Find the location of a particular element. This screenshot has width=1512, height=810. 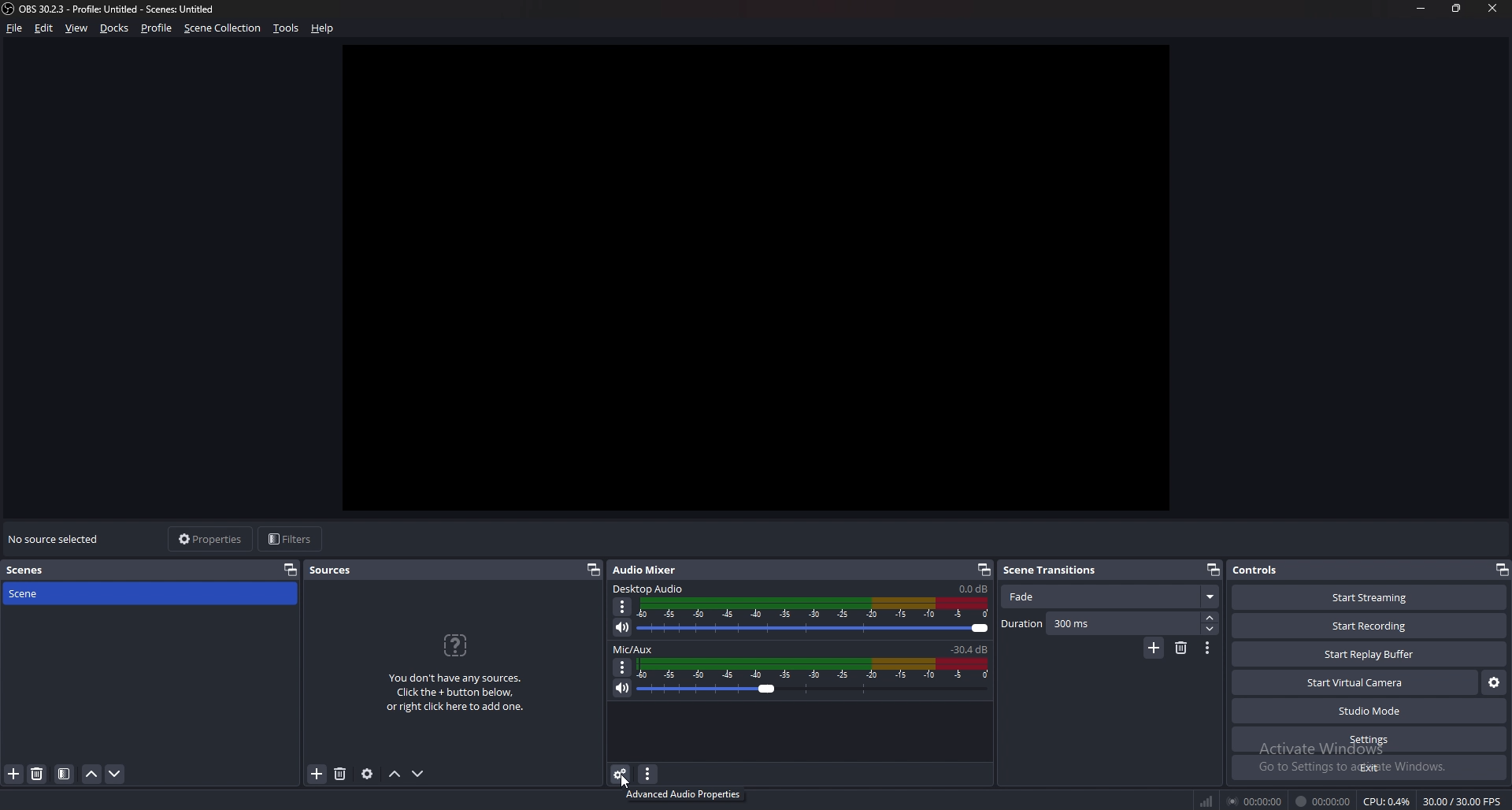

duration is located at coordinates (1102, 624).